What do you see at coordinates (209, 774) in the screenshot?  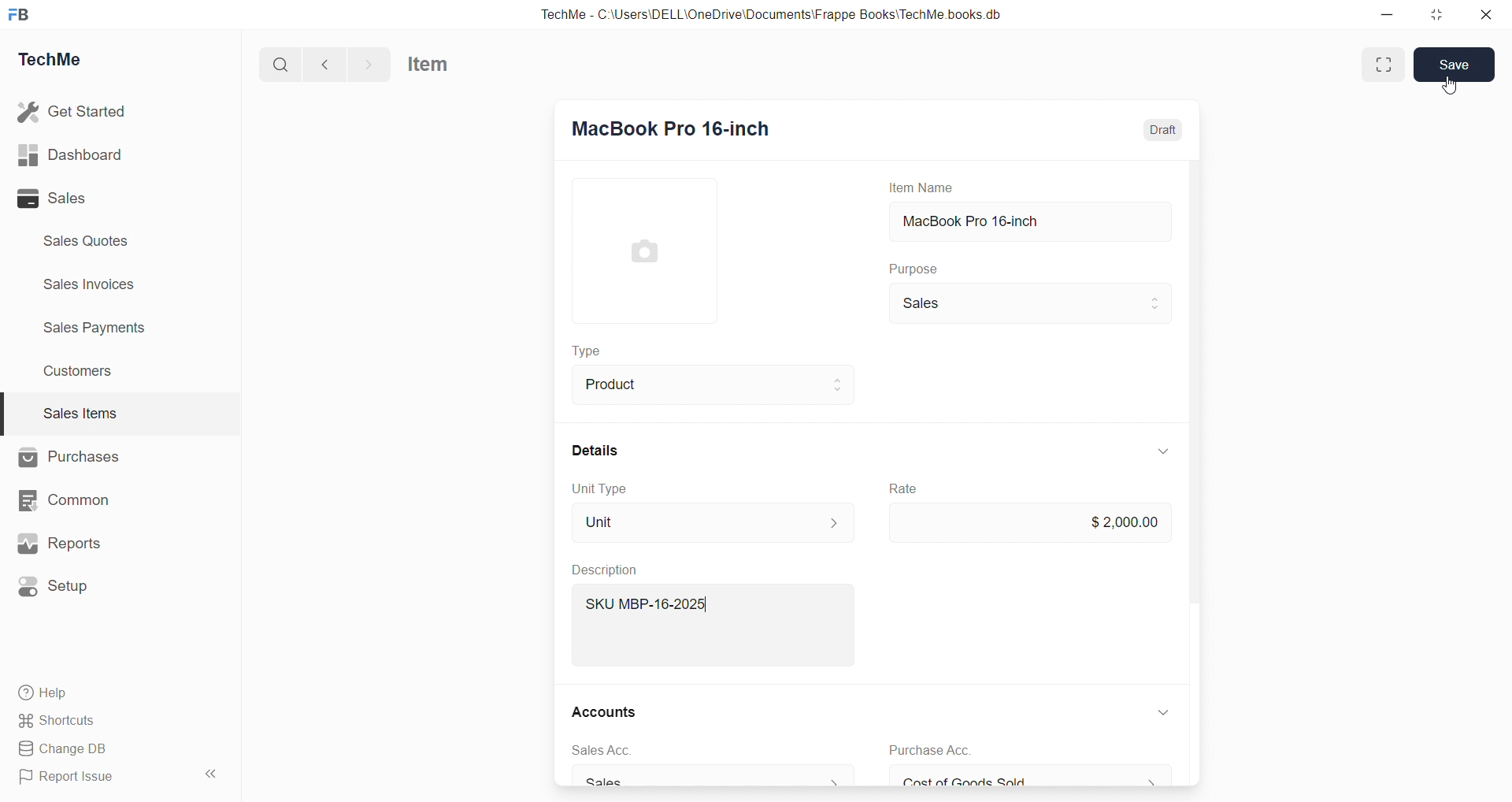 I see `<<` at bounding box center [209, 774].